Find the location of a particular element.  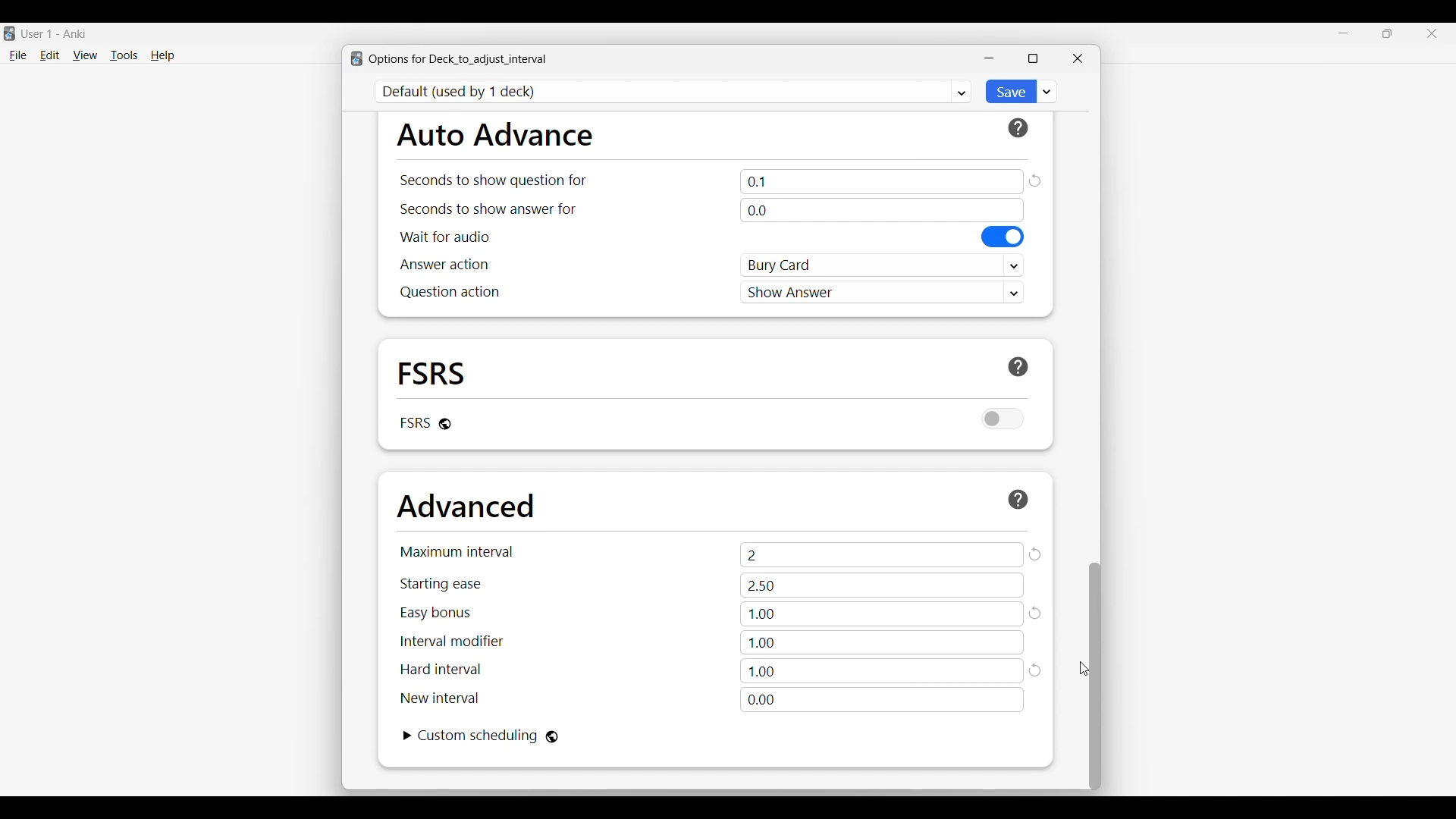

Indicates sec. to show question for is located at coordinates (492, 180).